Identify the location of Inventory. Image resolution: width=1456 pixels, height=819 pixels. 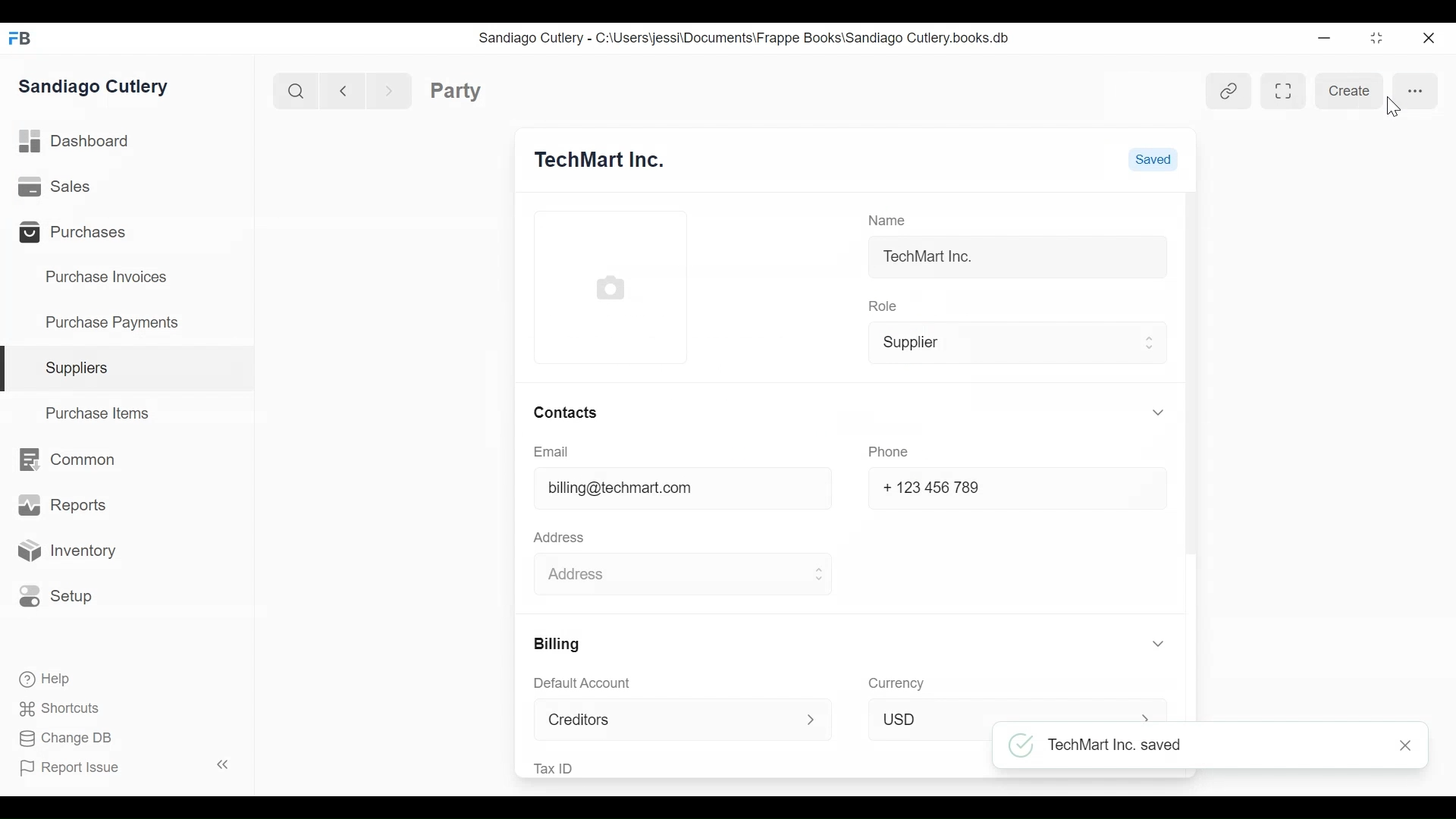
(74, 551).